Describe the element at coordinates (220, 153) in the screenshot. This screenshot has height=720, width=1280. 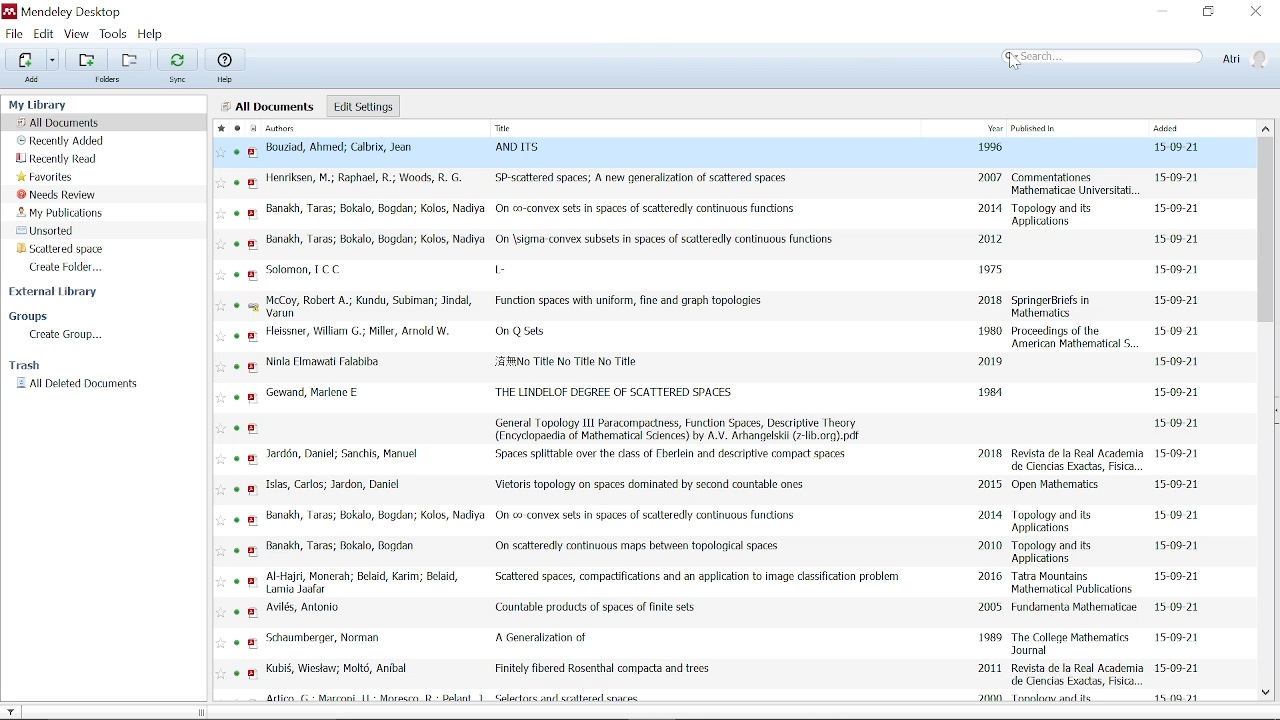
I see `Add to favorite` at that location.